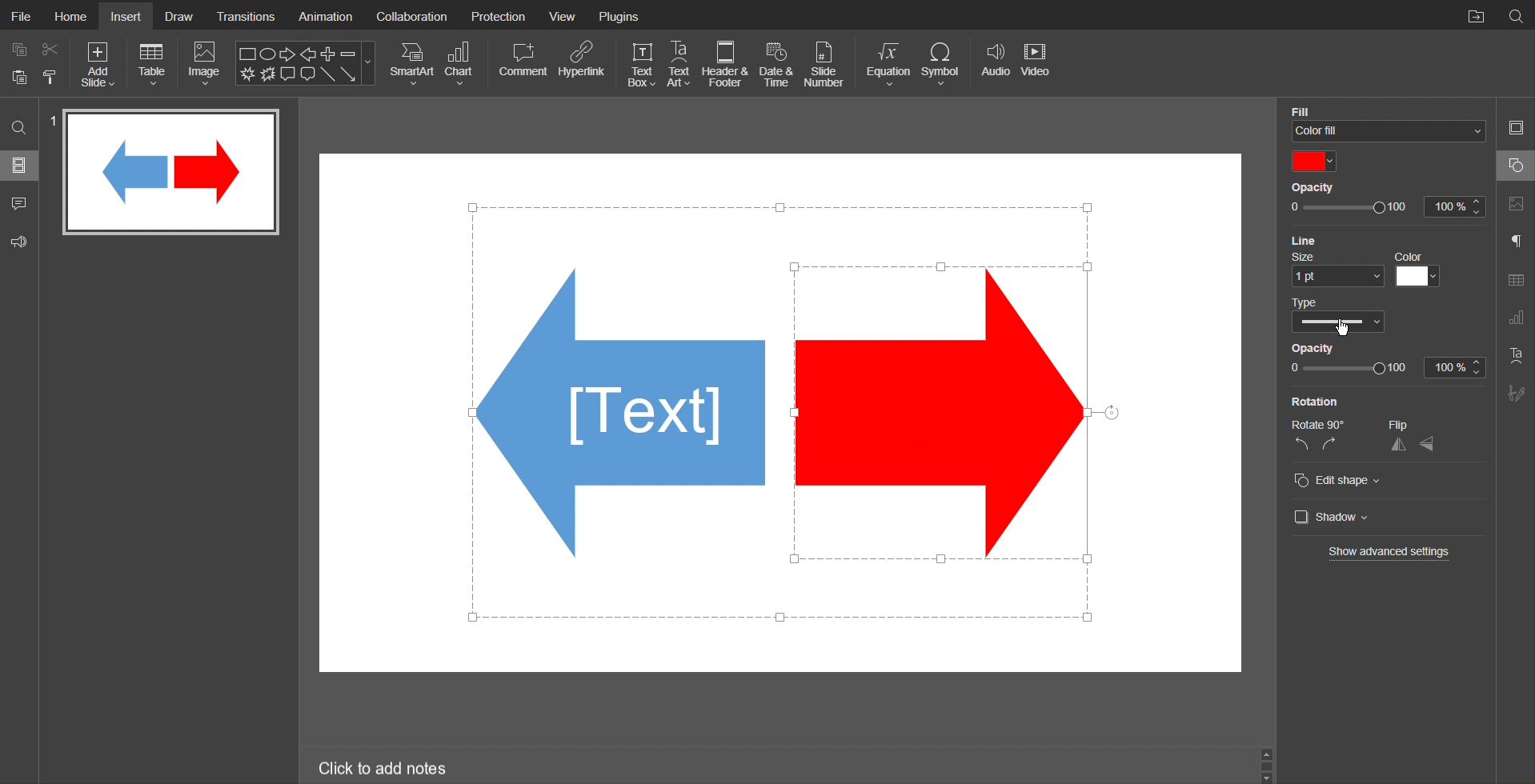 The width and height of the screenshot is (1535, 784). I want to click on cursor, so click(1344, 328).